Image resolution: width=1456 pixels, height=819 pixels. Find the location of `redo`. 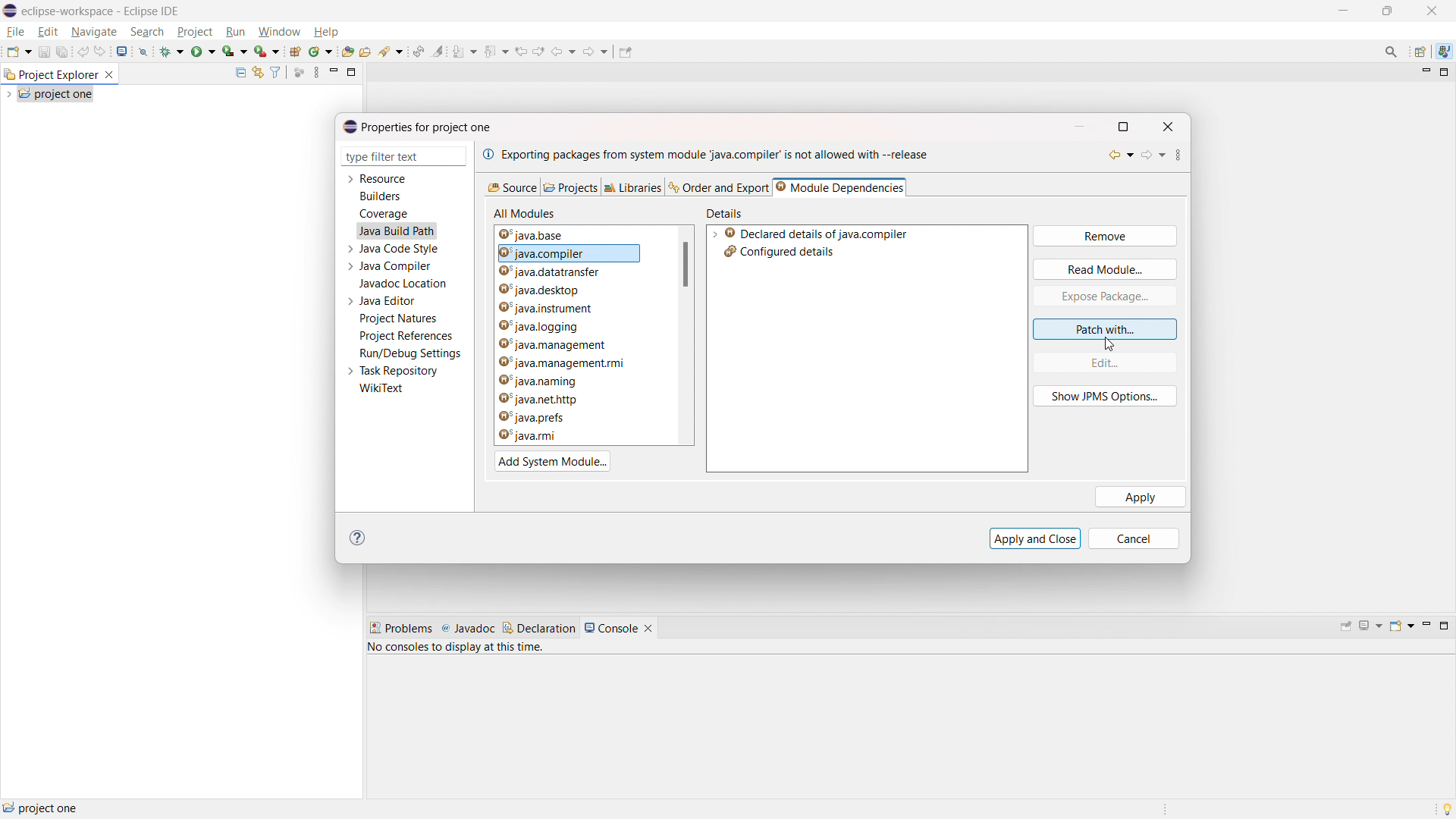

redo is located at coordinates (101, 51).